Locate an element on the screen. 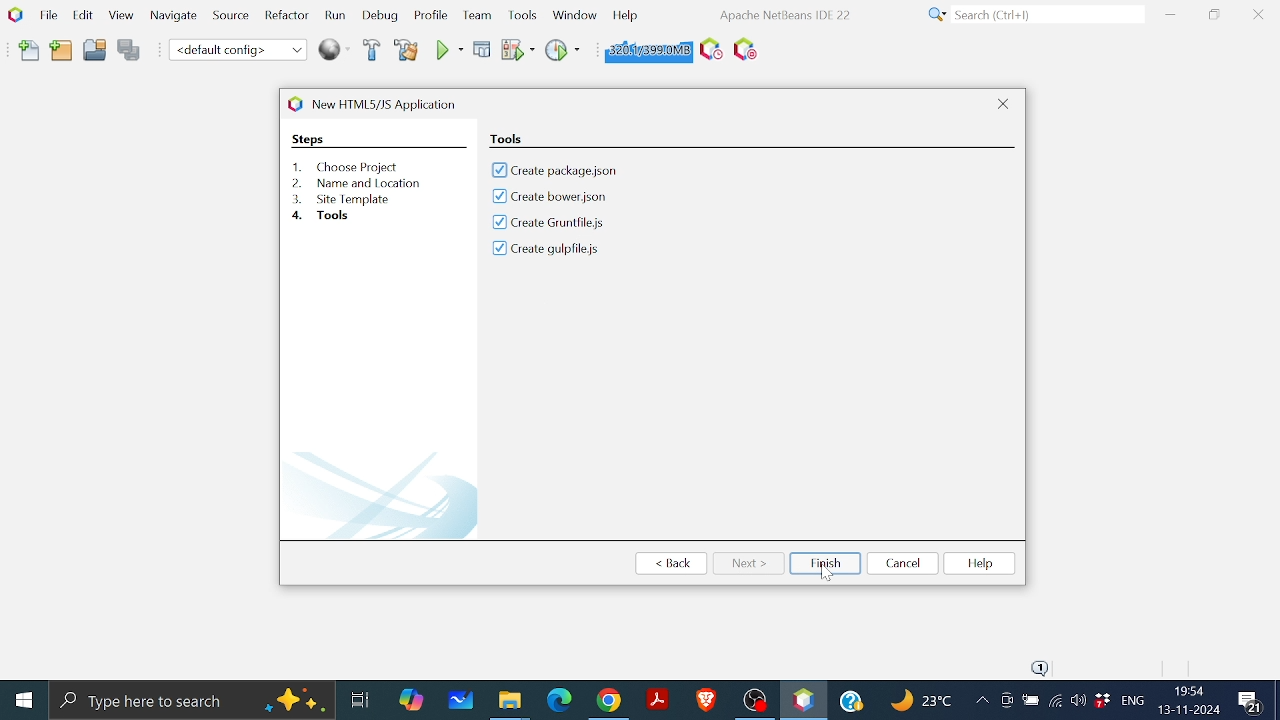 The height and width of the screenshot is (720, 1280). Netbeans is located at coordinates (803, 700).